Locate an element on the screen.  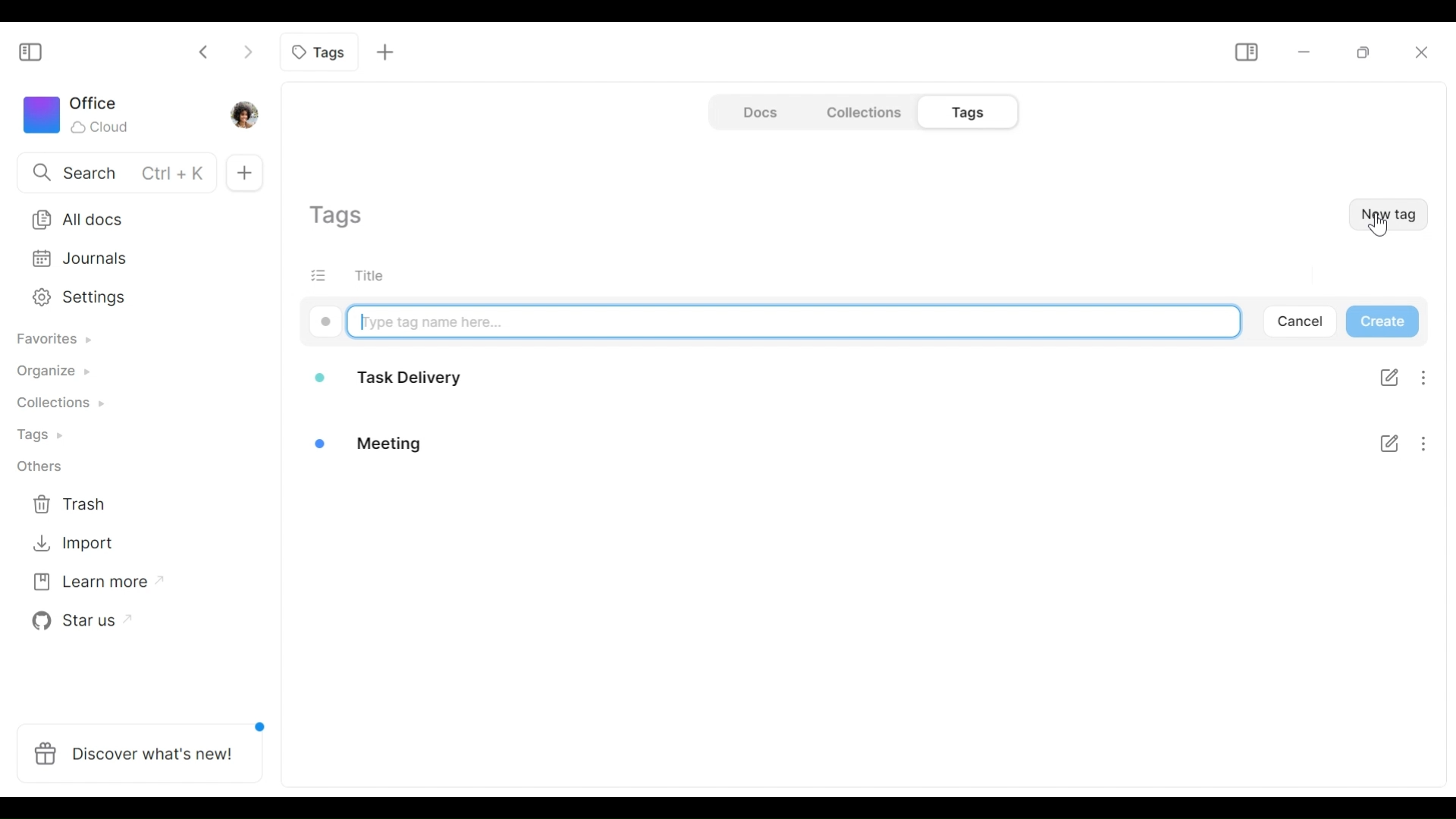
Checklist is located at coordinates (1385, 406).